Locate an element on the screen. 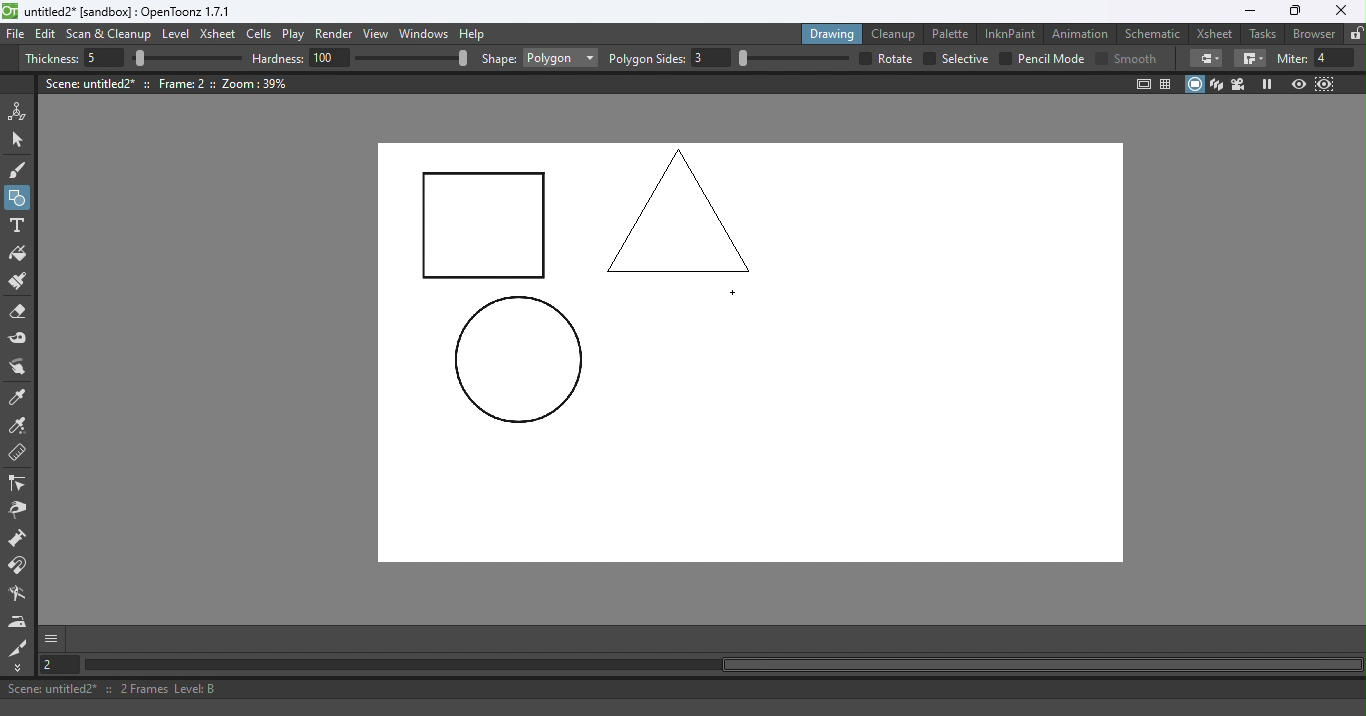  Tasks is located at coordinates (1264, 34).